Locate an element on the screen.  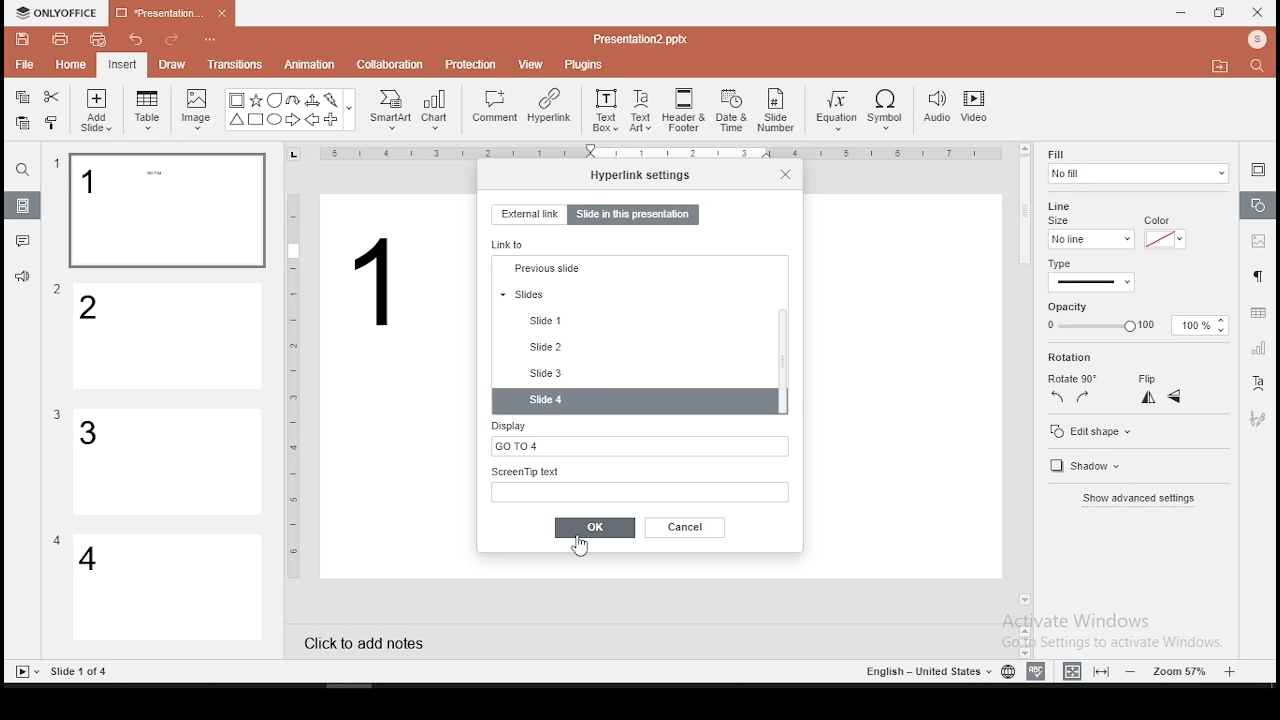
spell check is located at coordinates (1036, 671).